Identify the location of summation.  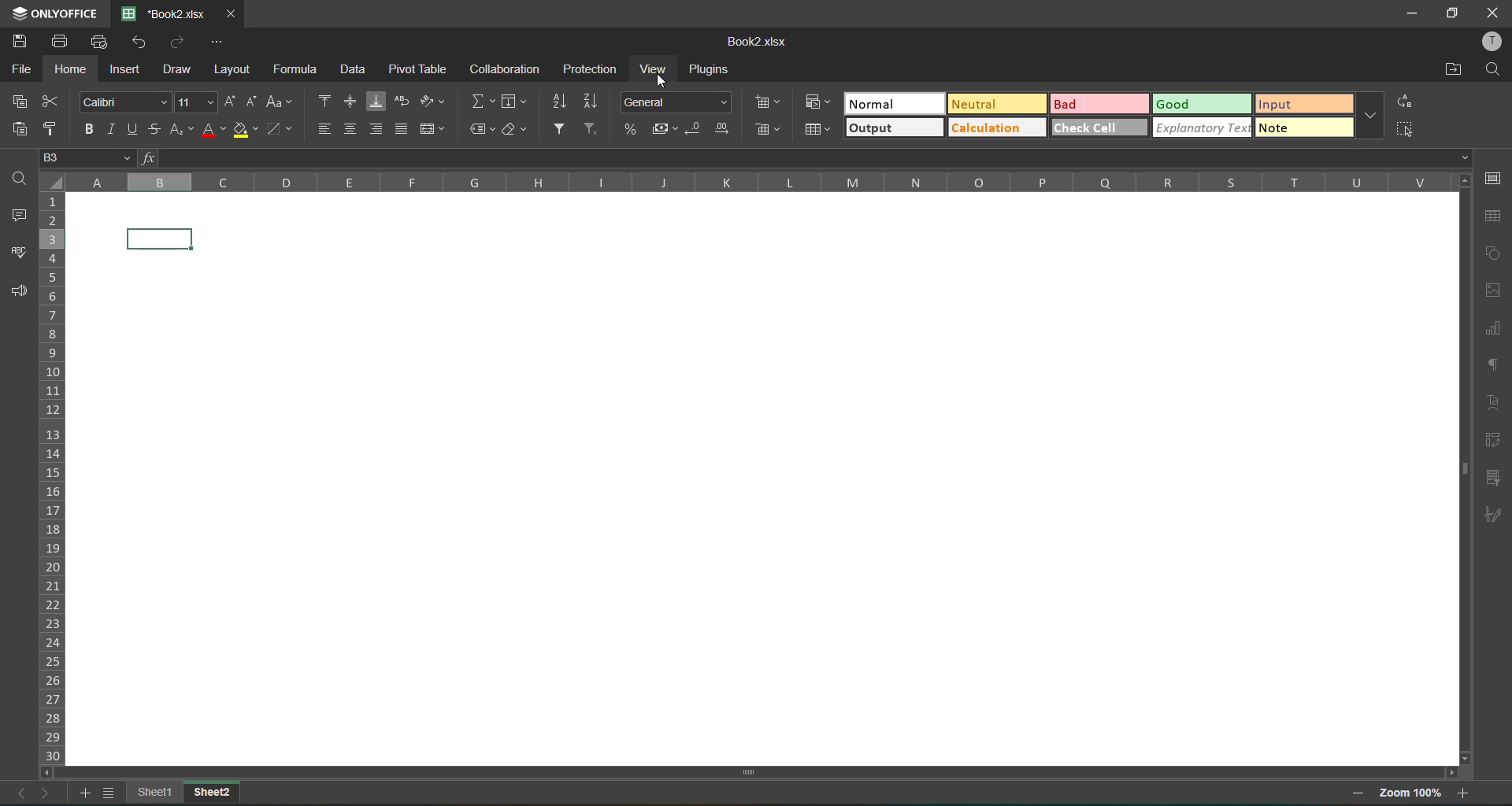
(484, 102).